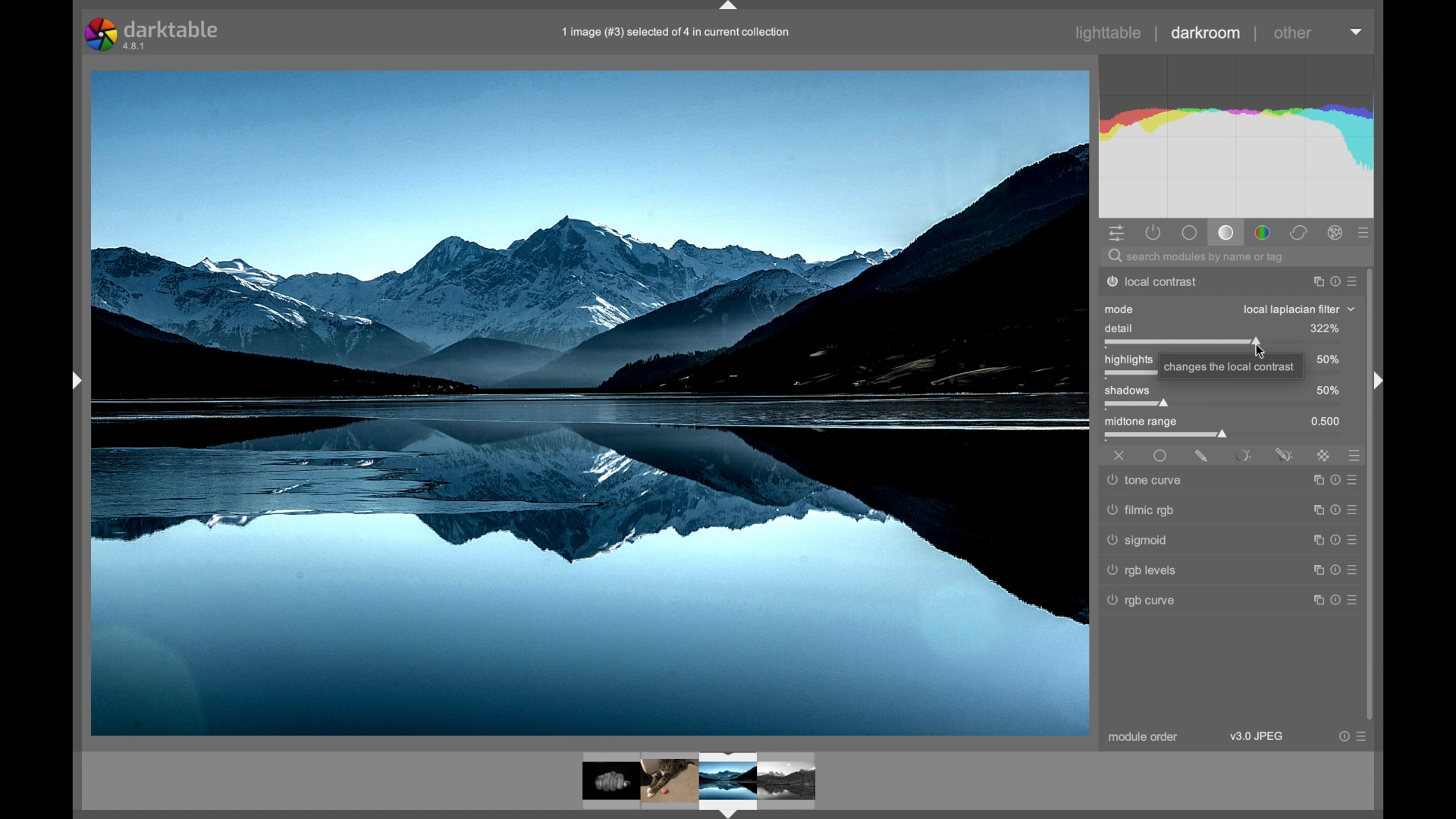 Image resolution: width=1456 pixels, height=819 pixels. I want to click on 125%, so click(1325, 329).